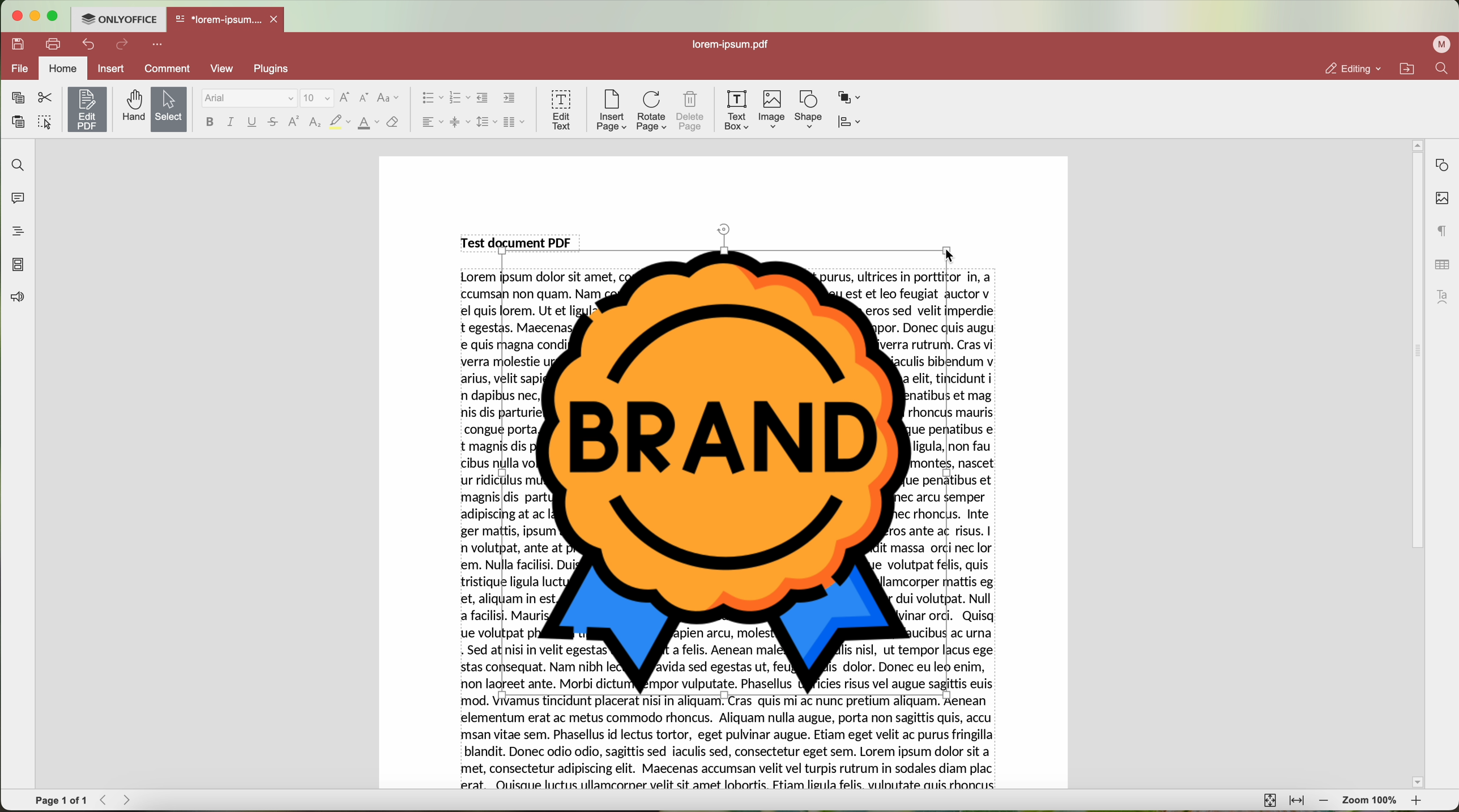  Describe the element at coordinates (316, 123) in the screenshot. I see `subscript` at that location.